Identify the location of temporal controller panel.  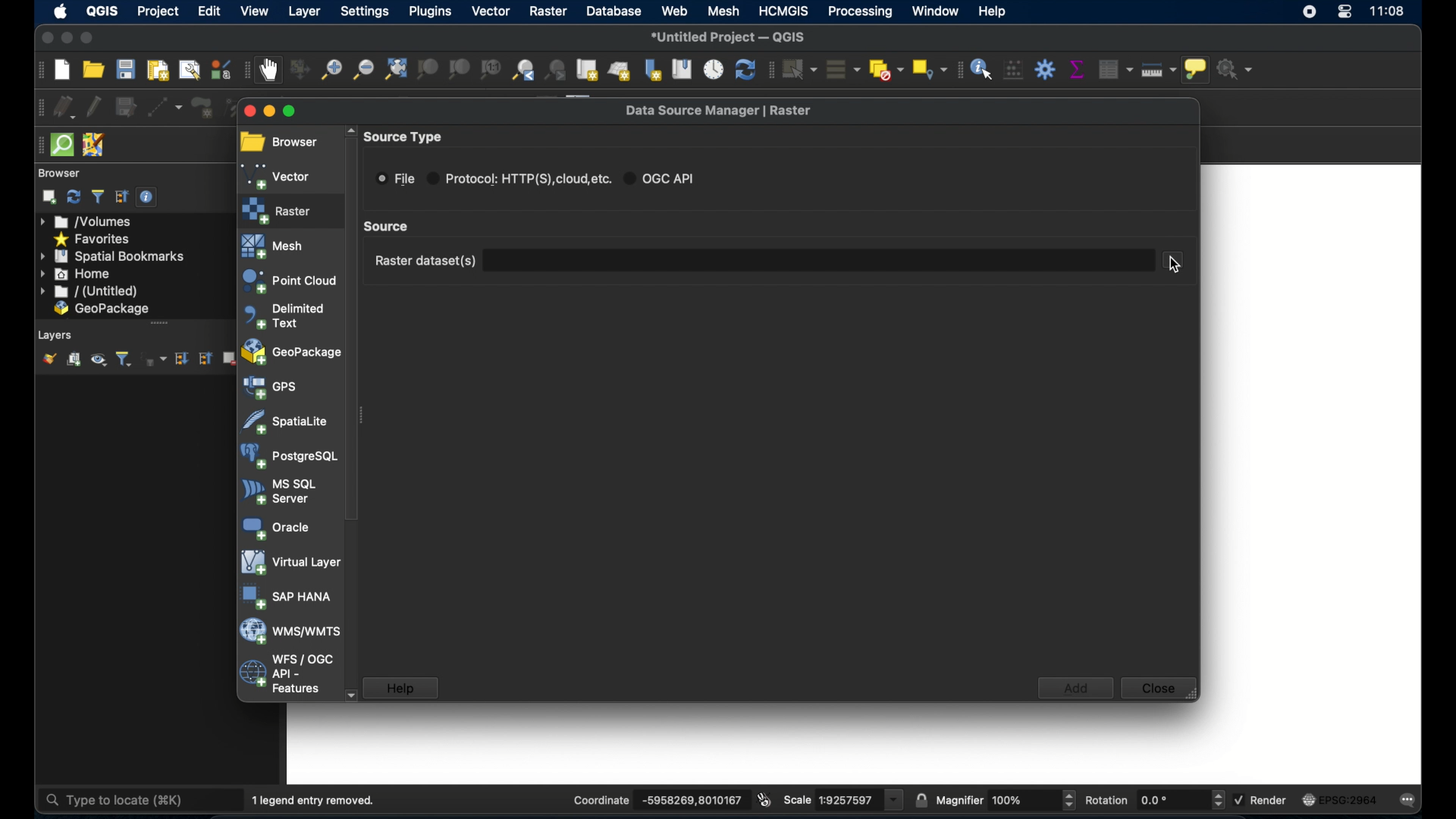
(714, 69).